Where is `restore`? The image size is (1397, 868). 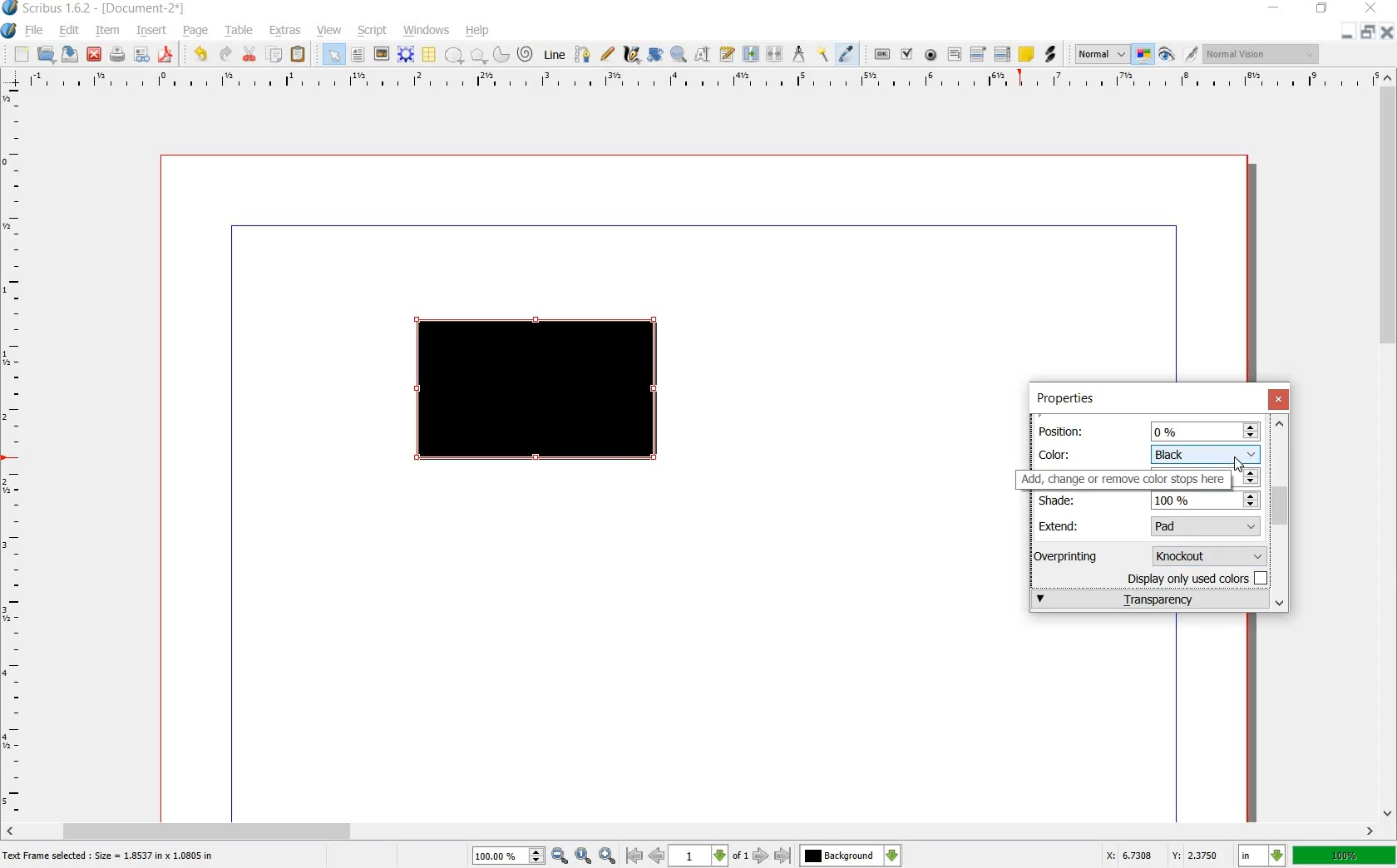 restore is located at coordinates (1367, 33).